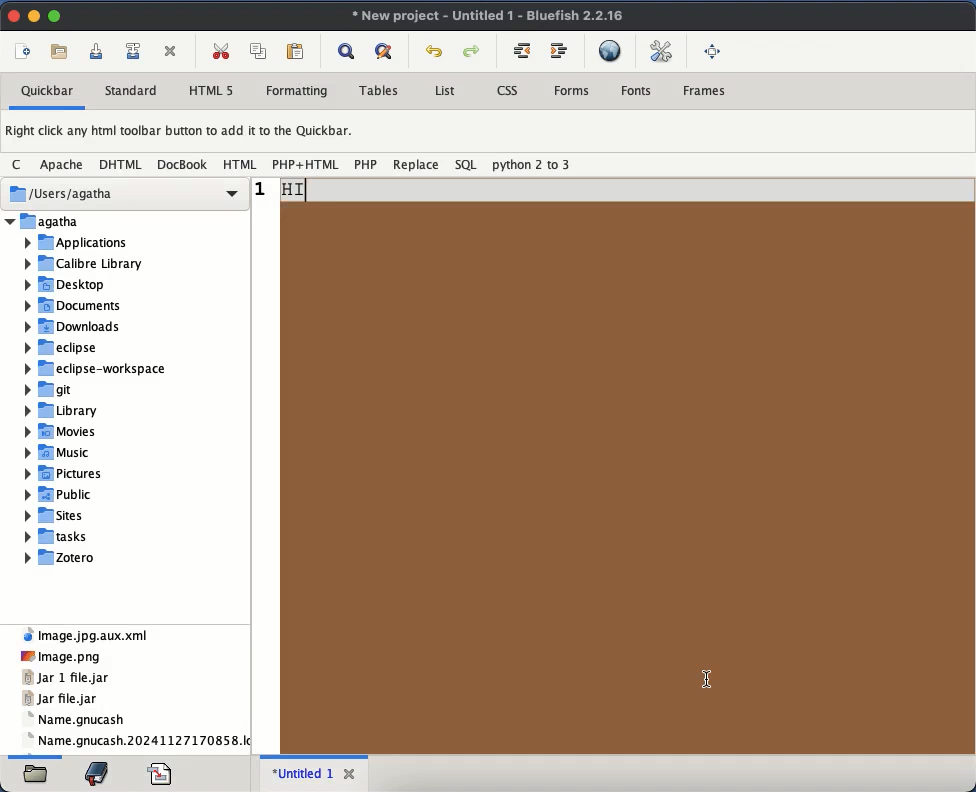 The width and height of the screenshot is (976, 792). I want to click on edit preferences, so click(661, 52).